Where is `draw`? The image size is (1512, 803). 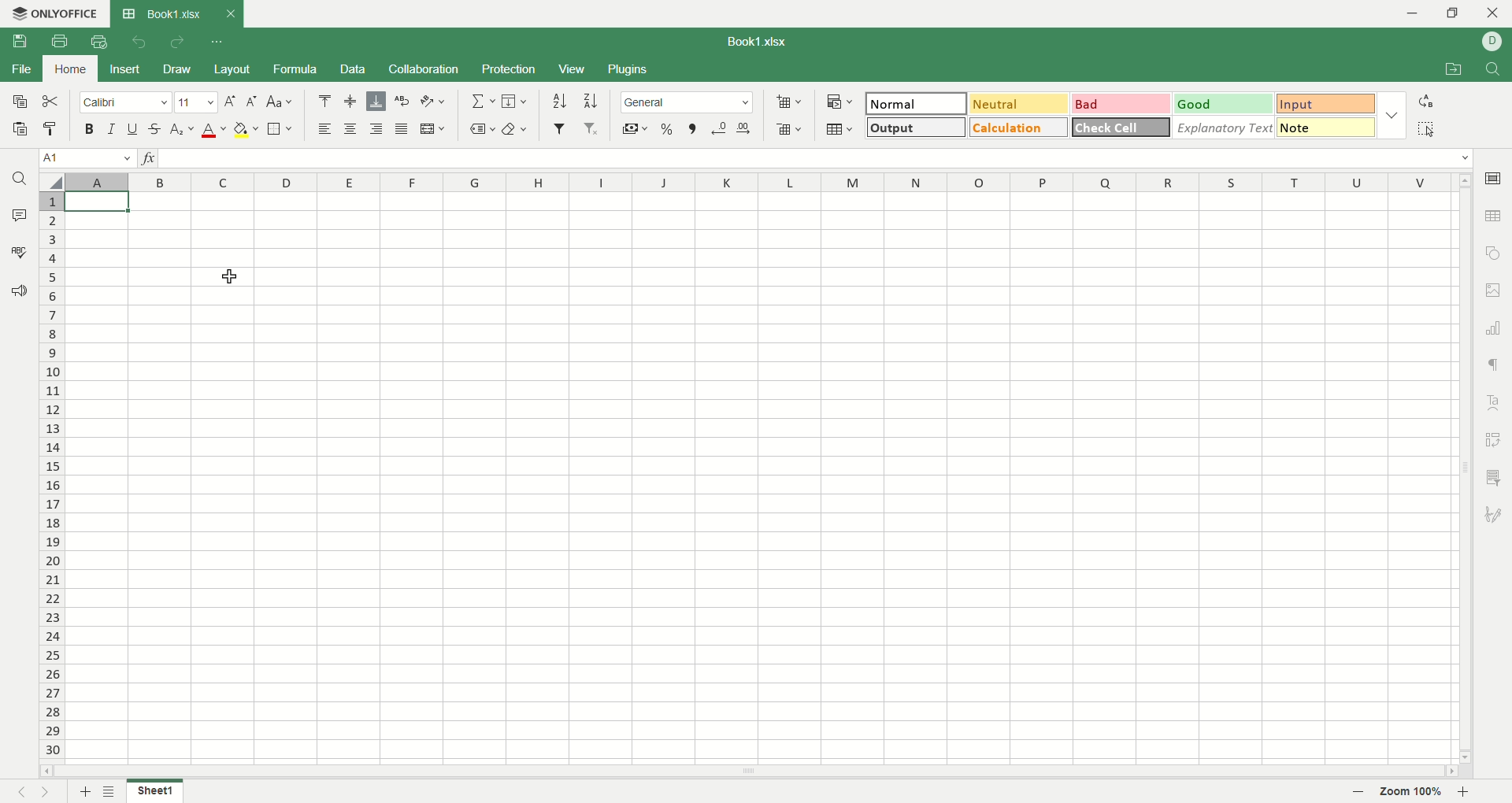 draw is located at coordinates (179, 70).